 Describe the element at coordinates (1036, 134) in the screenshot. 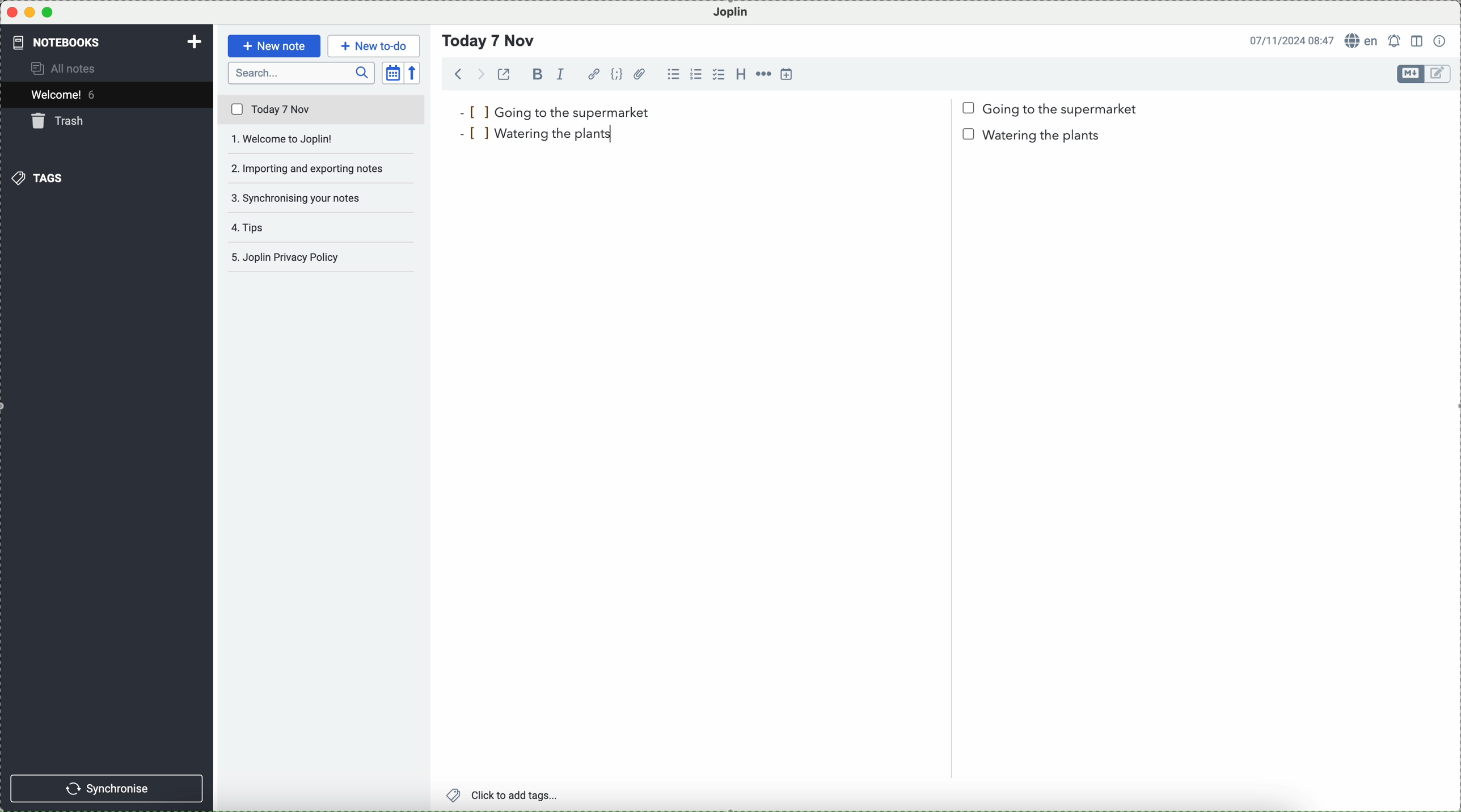

I see `watering the plants - checkbox added` at that location.